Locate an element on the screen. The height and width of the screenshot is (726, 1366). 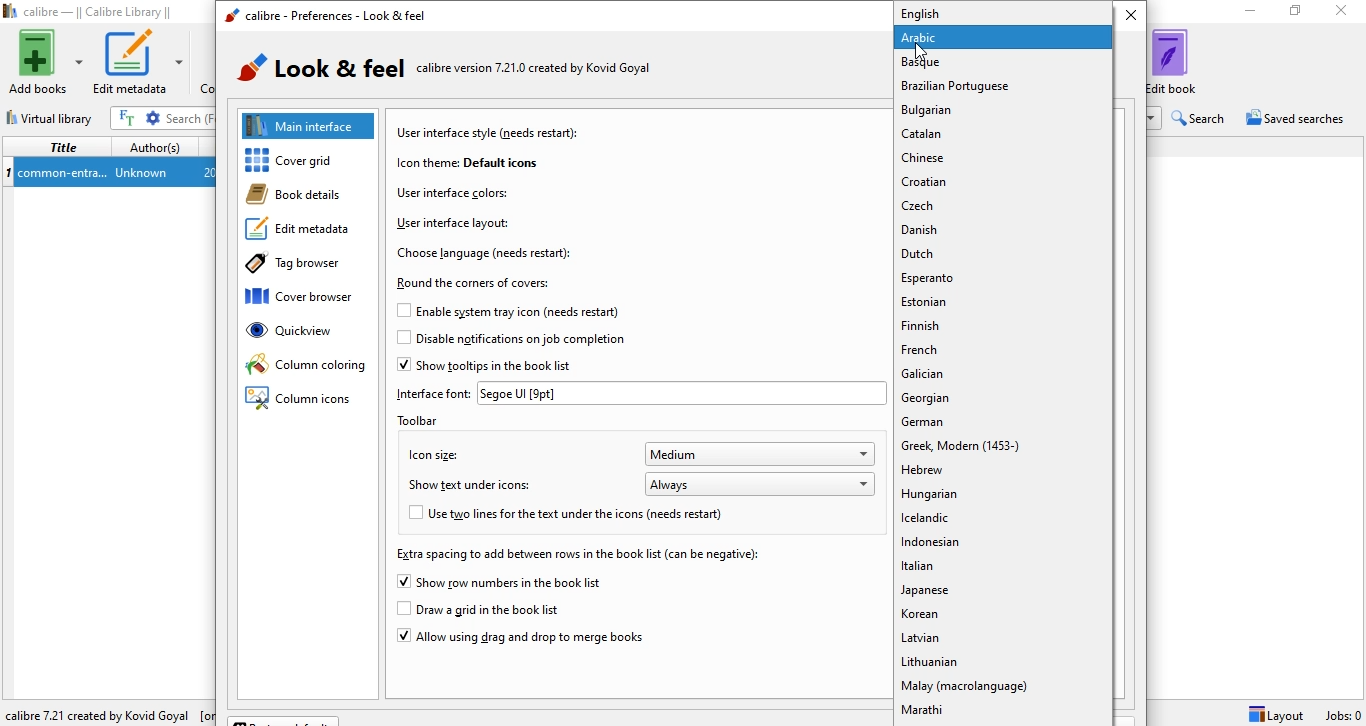
segoe UI [9pt] is located at coordinates (681, 393).